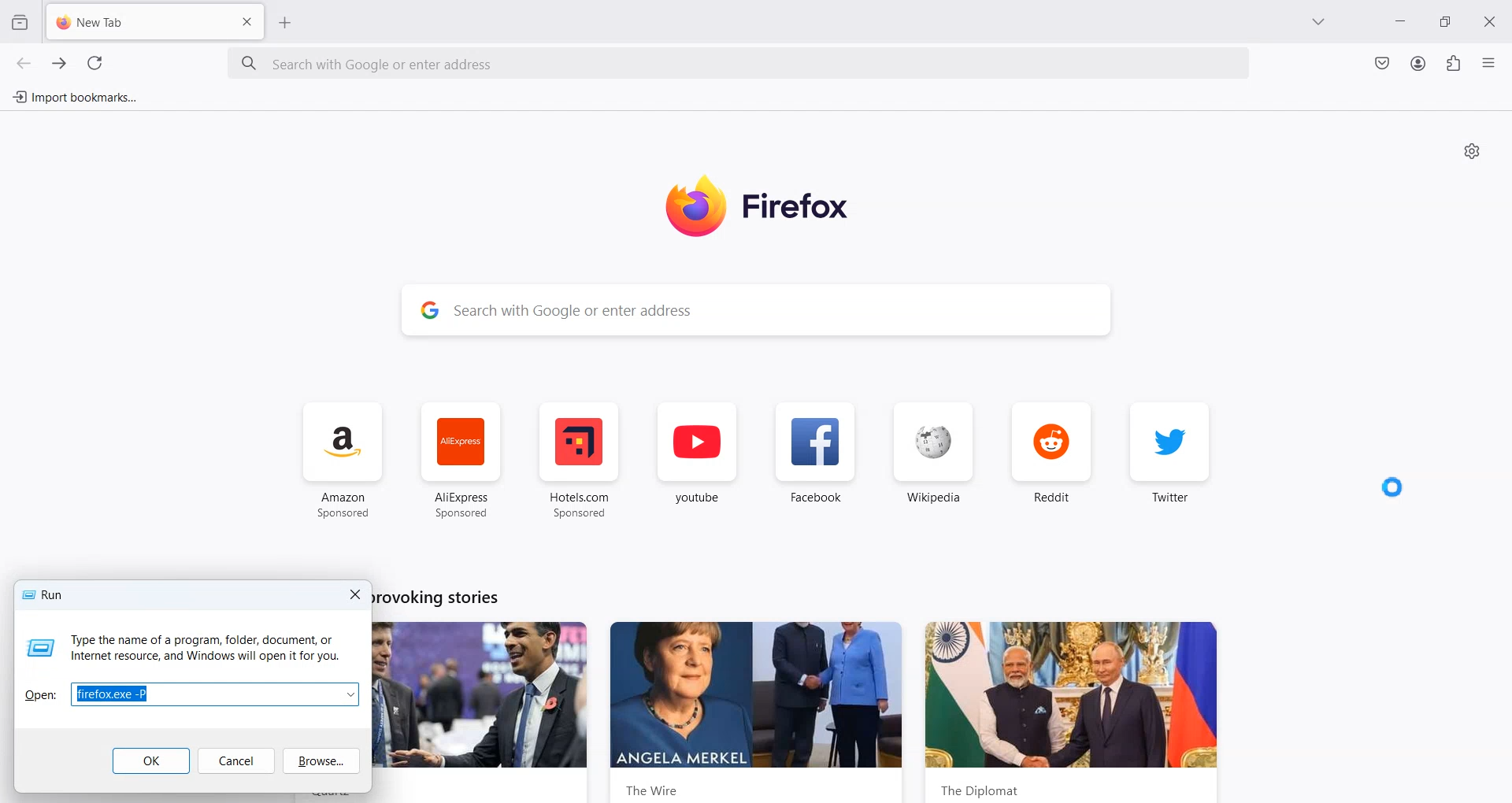  What do you see at coordinates (578, 460) in the screenshot?
I see `Hotel.com Sponsored` at bounding box center [578, 460].